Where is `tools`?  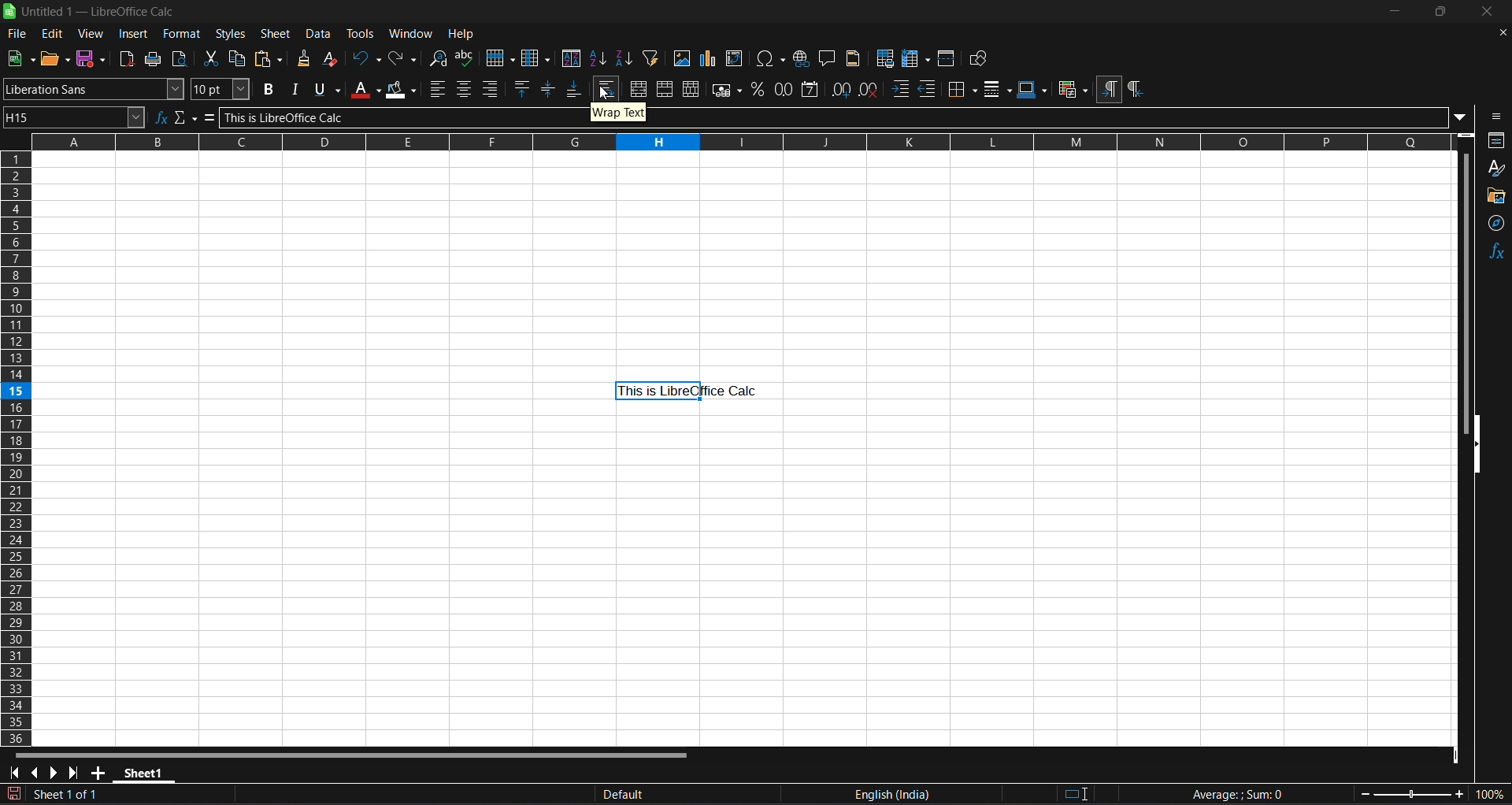 tools is located at coordinates (361, 33).